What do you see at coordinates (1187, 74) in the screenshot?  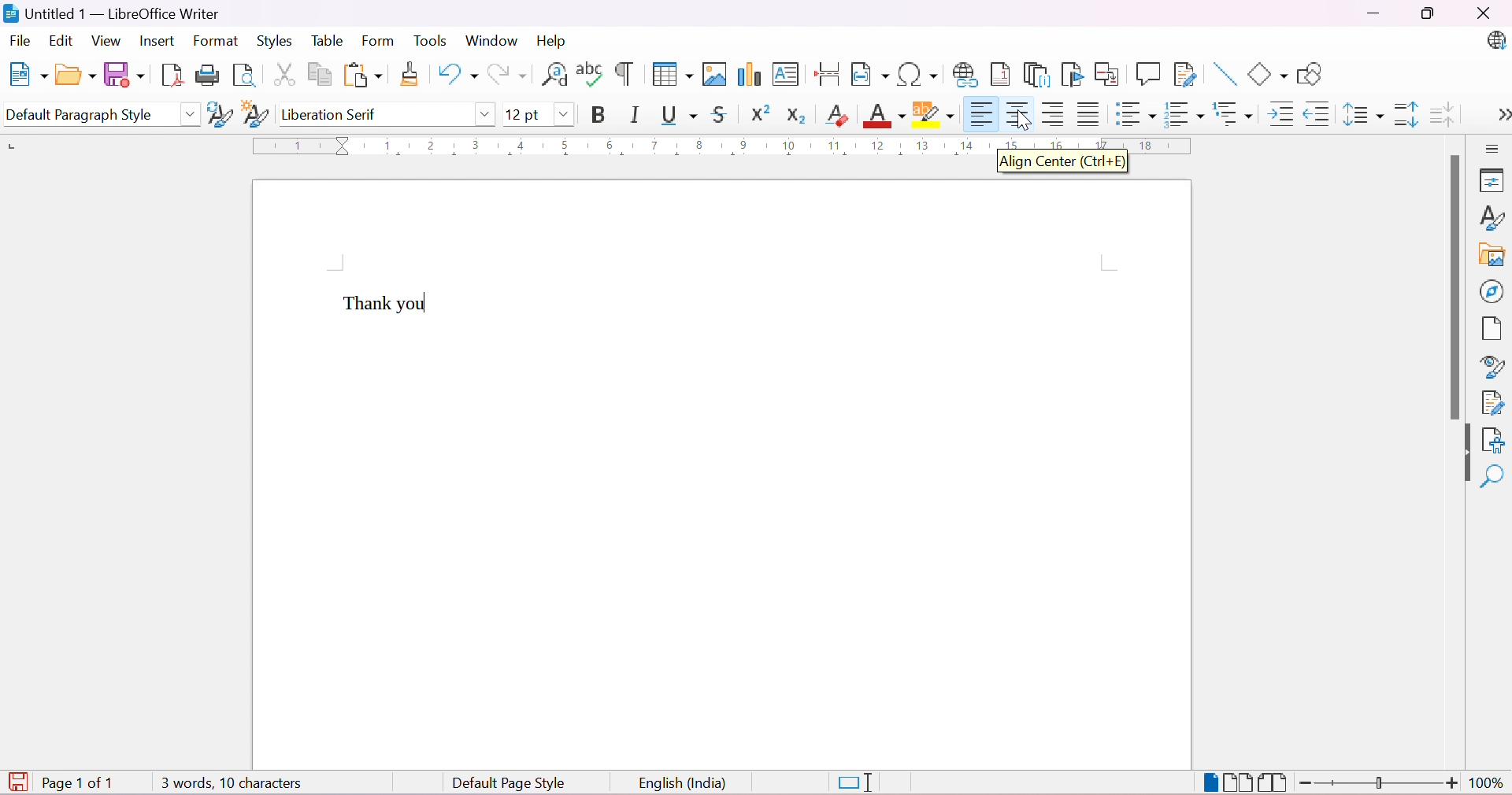 I see `Show Track Changes Functions` at bounding box center [1187, 74].